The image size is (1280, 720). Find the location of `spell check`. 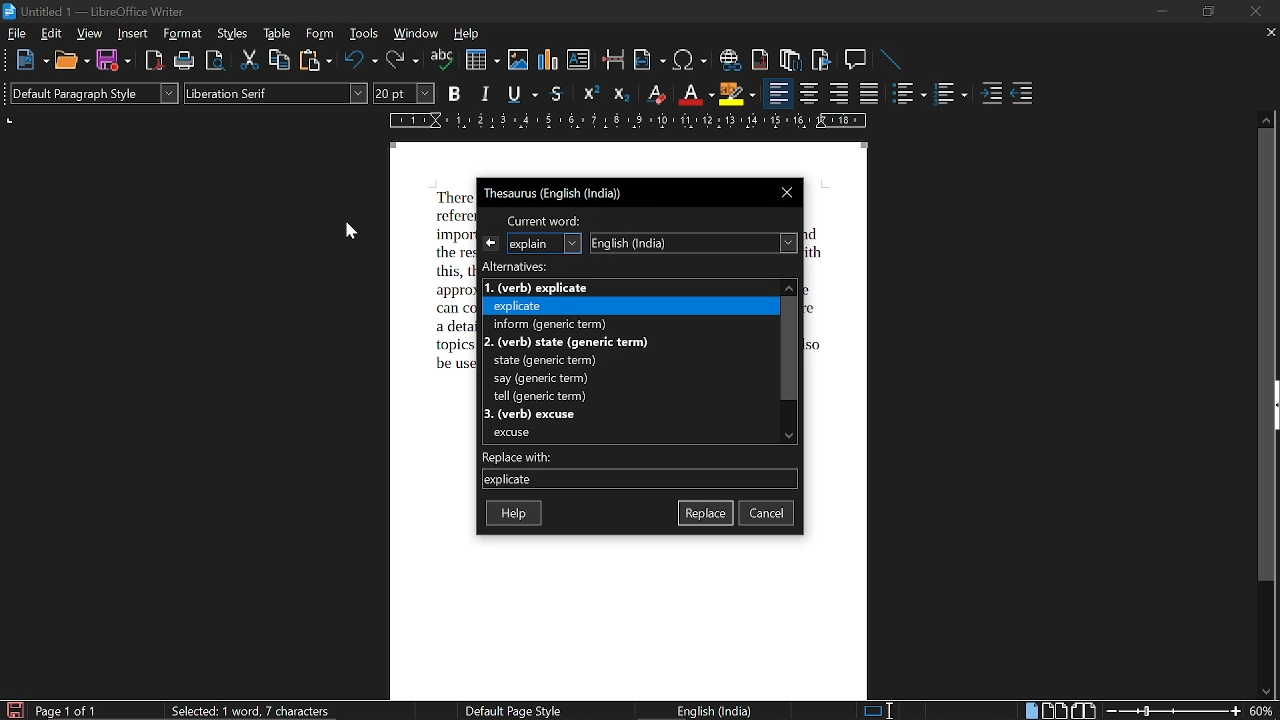

spell check is located at coordinates (442, 61).